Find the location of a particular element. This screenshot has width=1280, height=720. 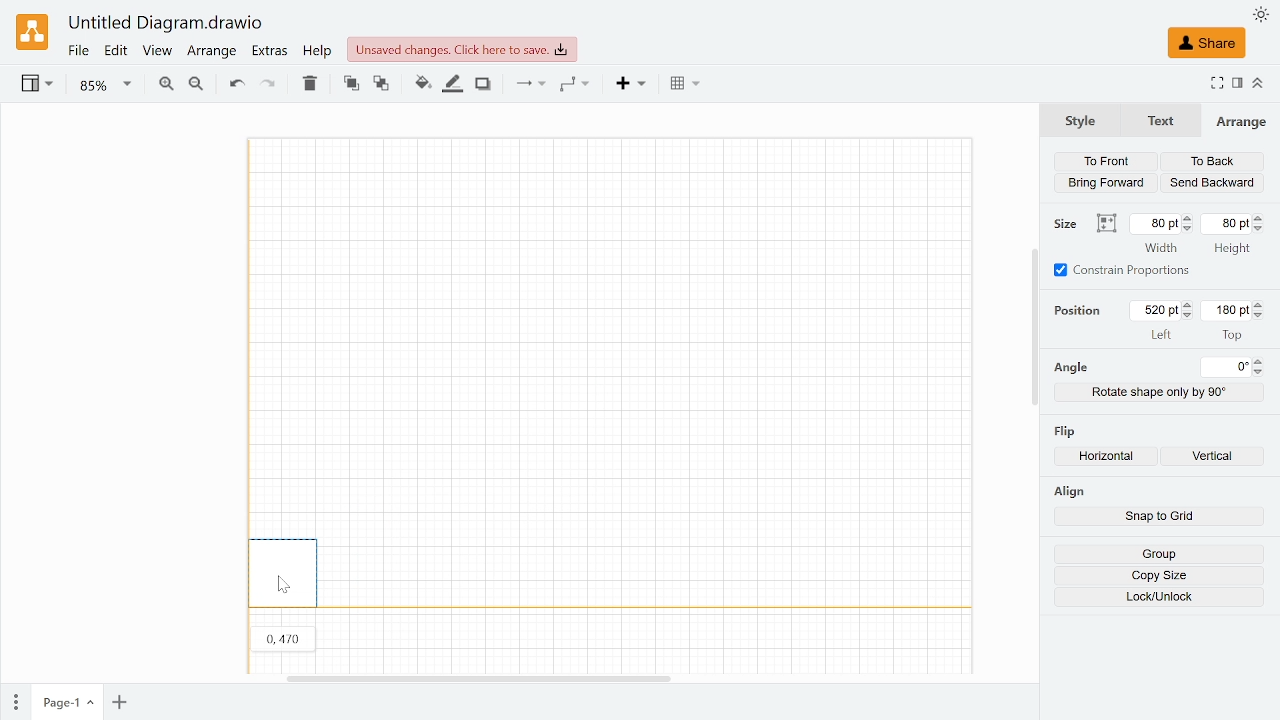

View settings is located at coordinates (35, 85).